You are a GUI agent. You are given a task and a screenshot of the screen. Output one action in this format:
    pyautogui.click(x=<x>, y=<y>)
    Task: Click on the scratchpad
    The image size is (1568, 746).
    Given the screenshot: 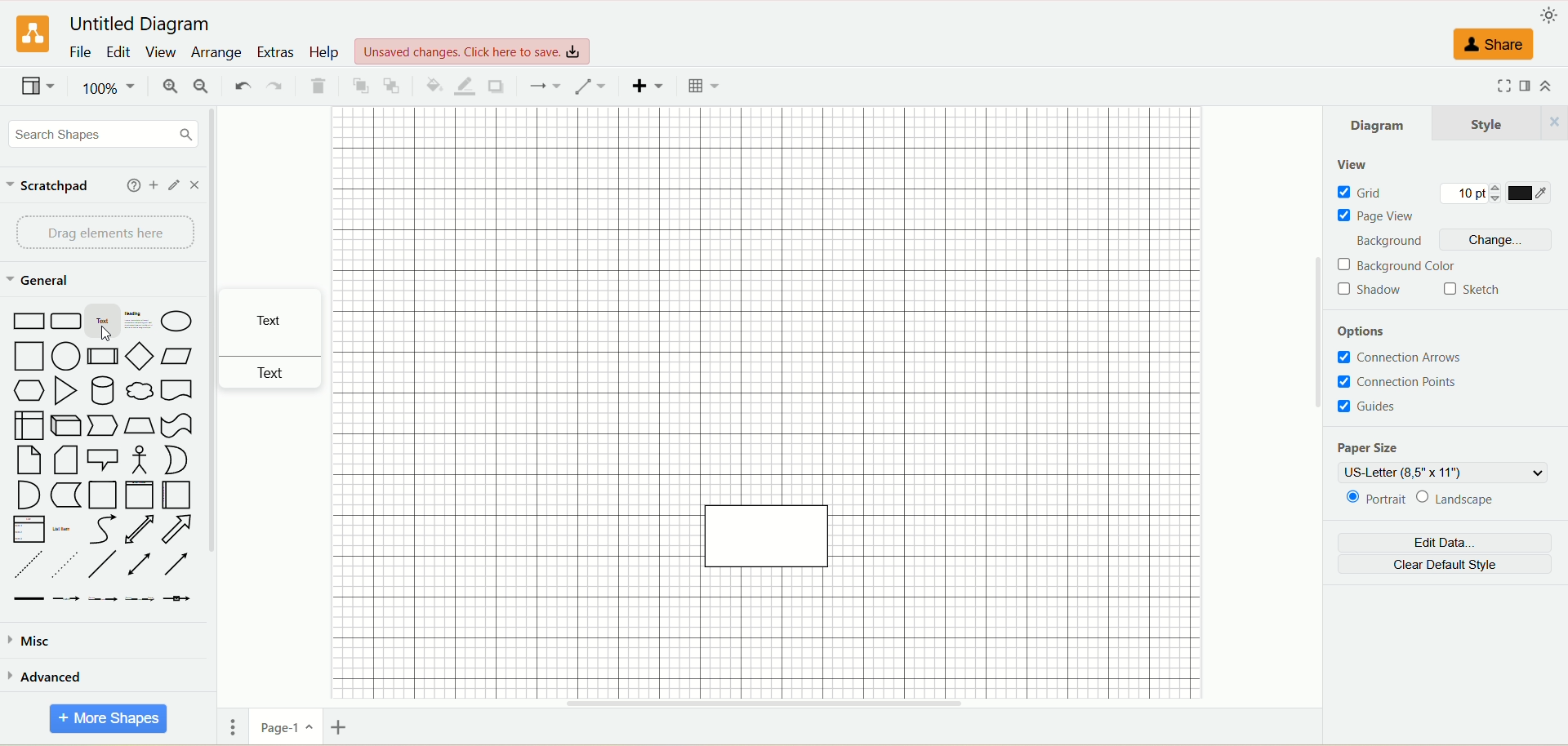 What is the action you would take?
    pyautogui.click(x=56, y=184)
    